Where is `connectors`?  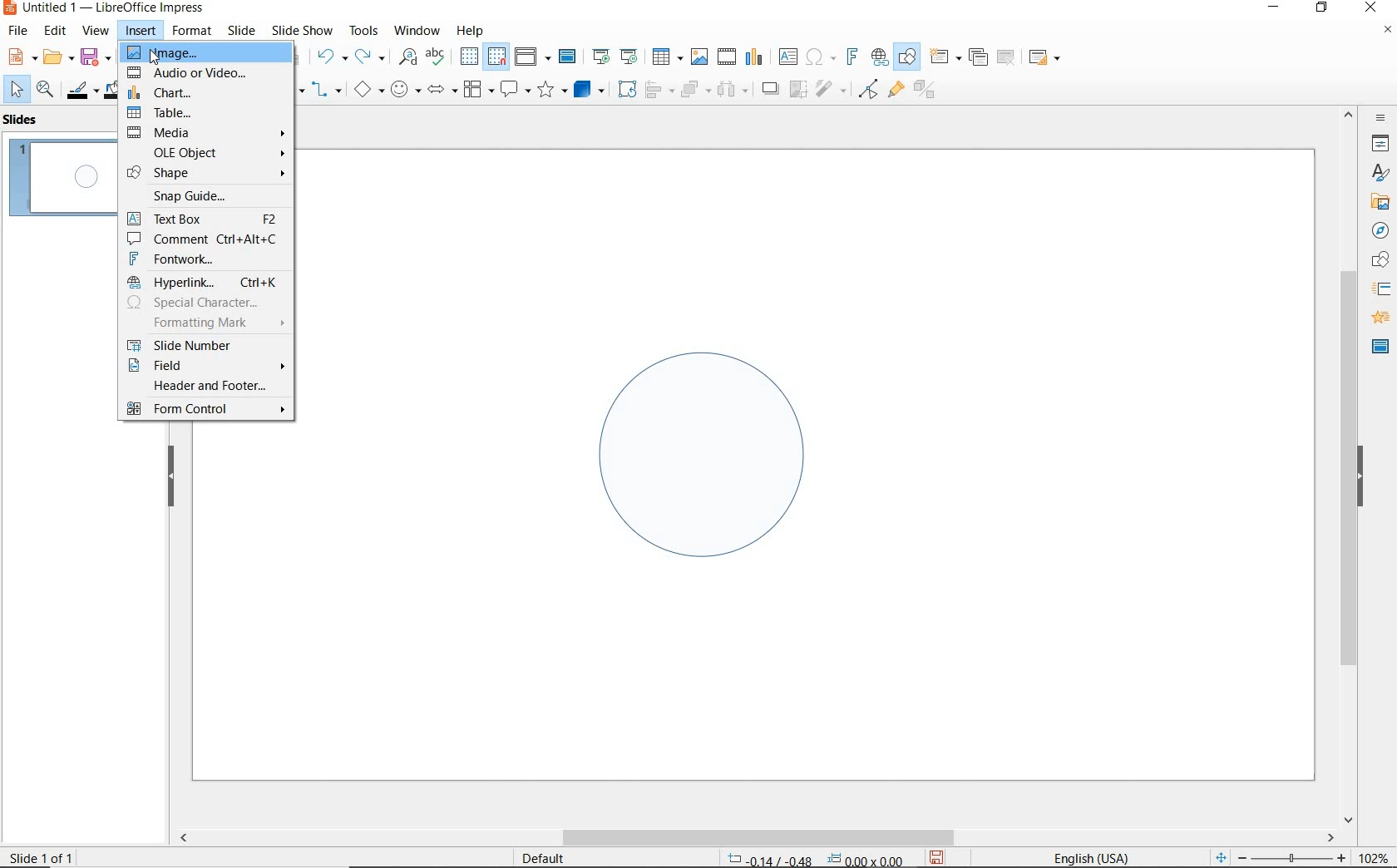 connectors is located at coordinates (327, 91).